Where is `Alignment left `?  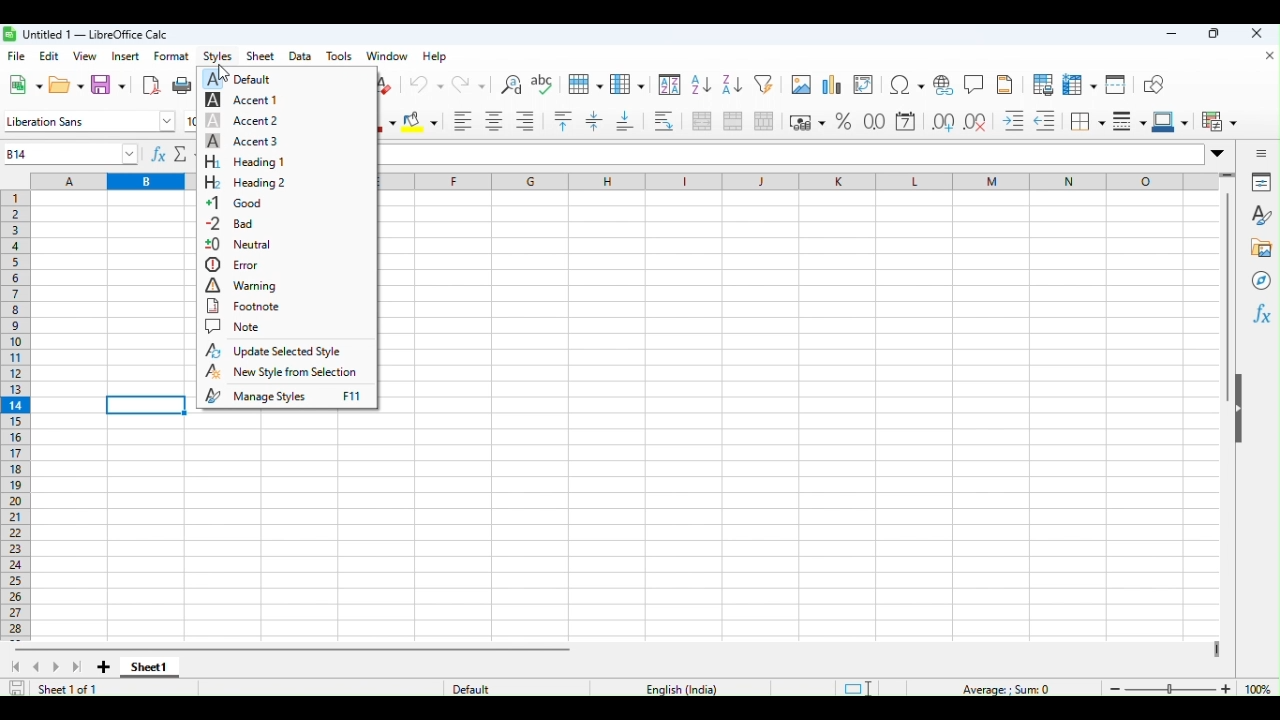 Alignment left  is located at coordinates (460, 122).